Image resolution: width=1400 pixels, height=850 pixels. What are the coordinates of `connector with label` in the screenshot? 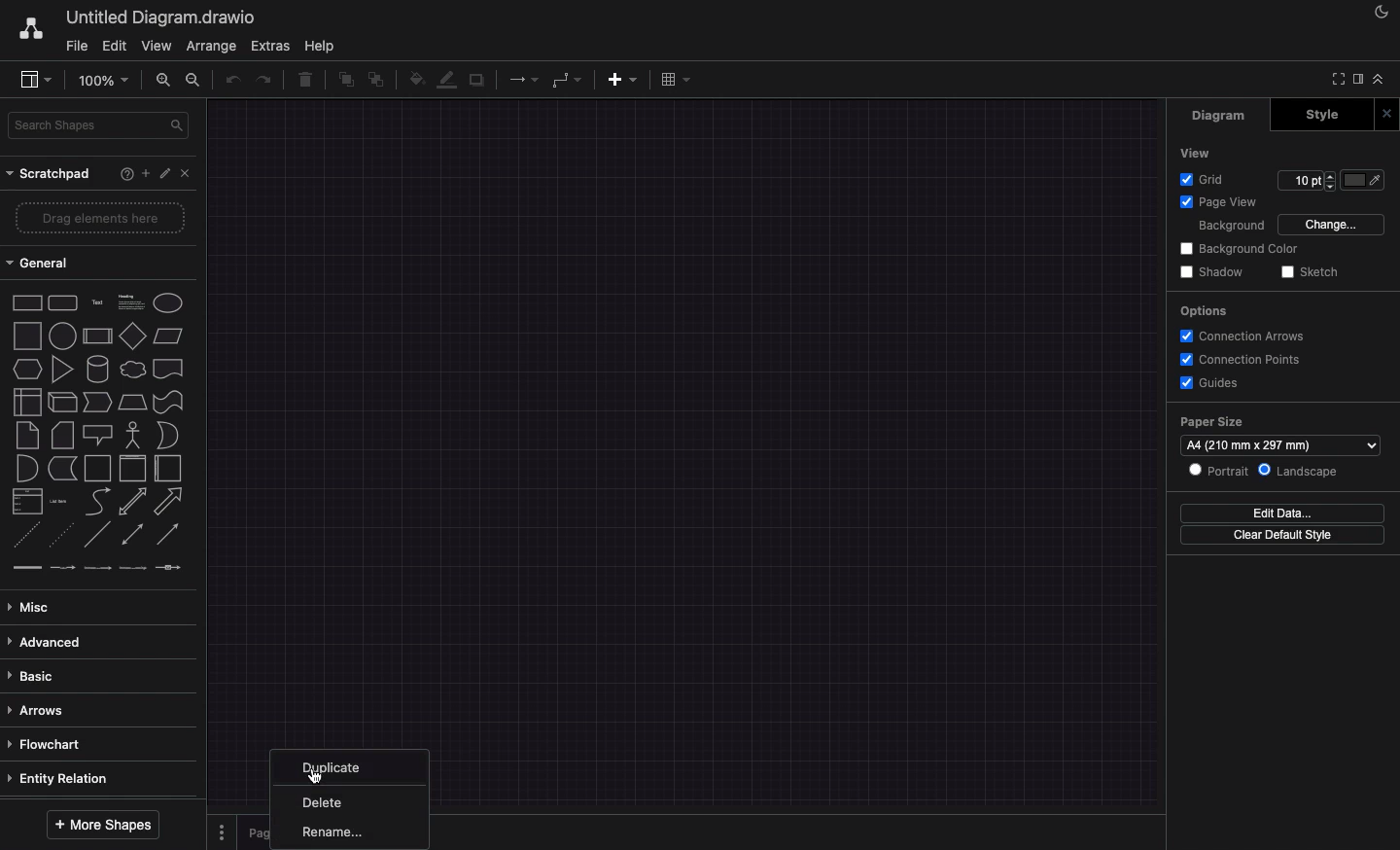 It's located at (64, 568).